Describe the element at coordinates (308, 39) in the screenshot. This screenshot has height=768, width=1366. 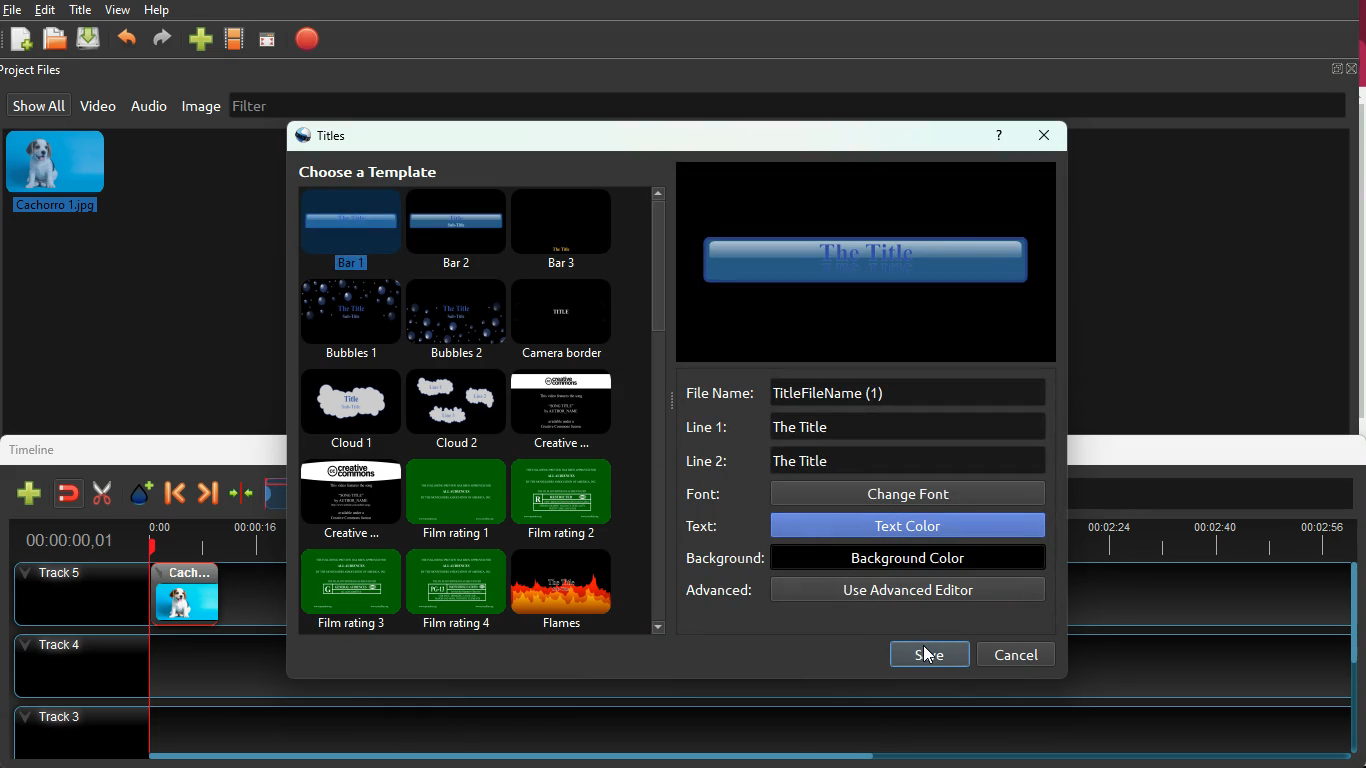
I see `record` at that location.